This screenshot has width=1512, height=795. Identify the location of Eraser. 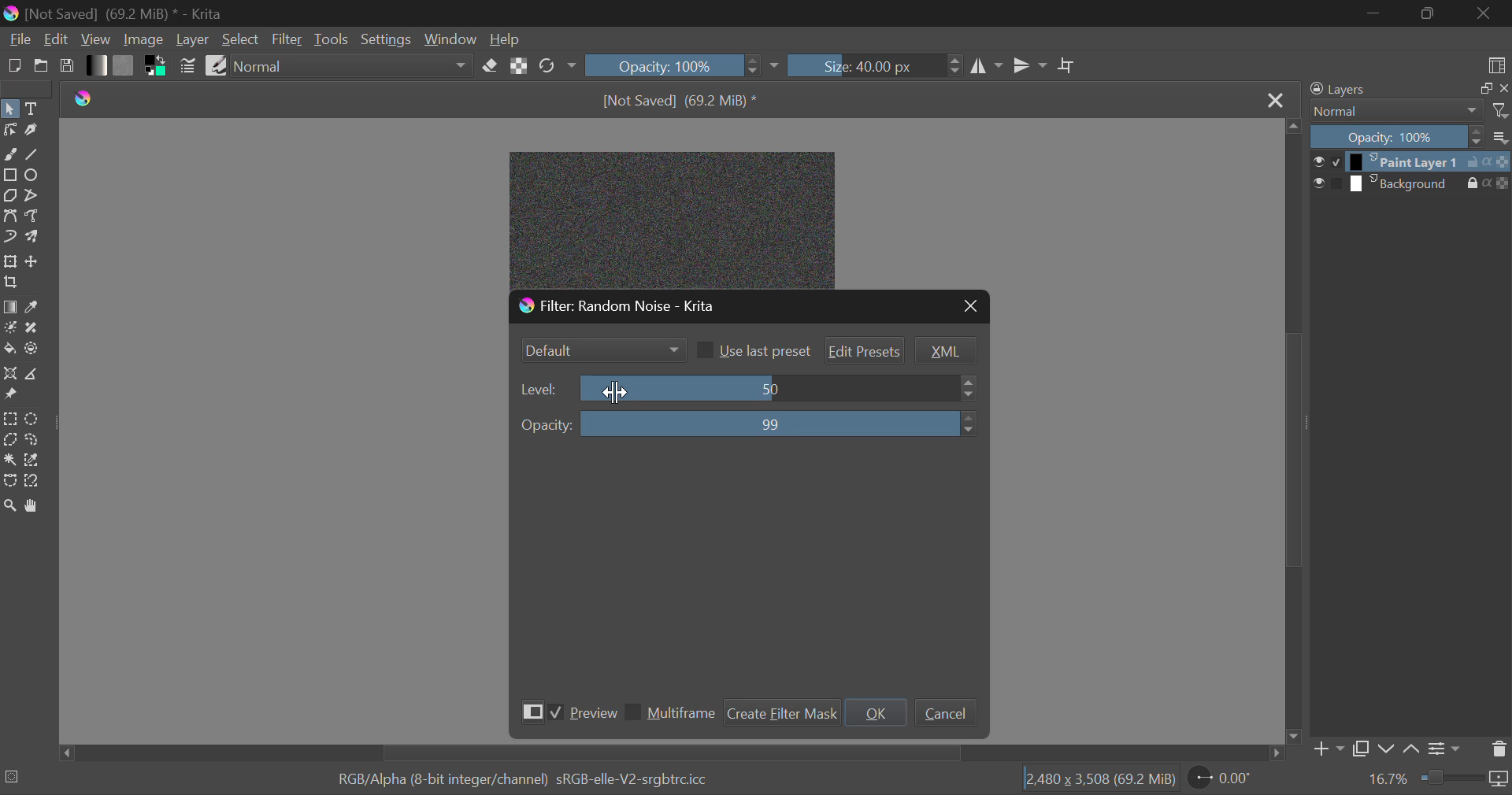
(490, 67).